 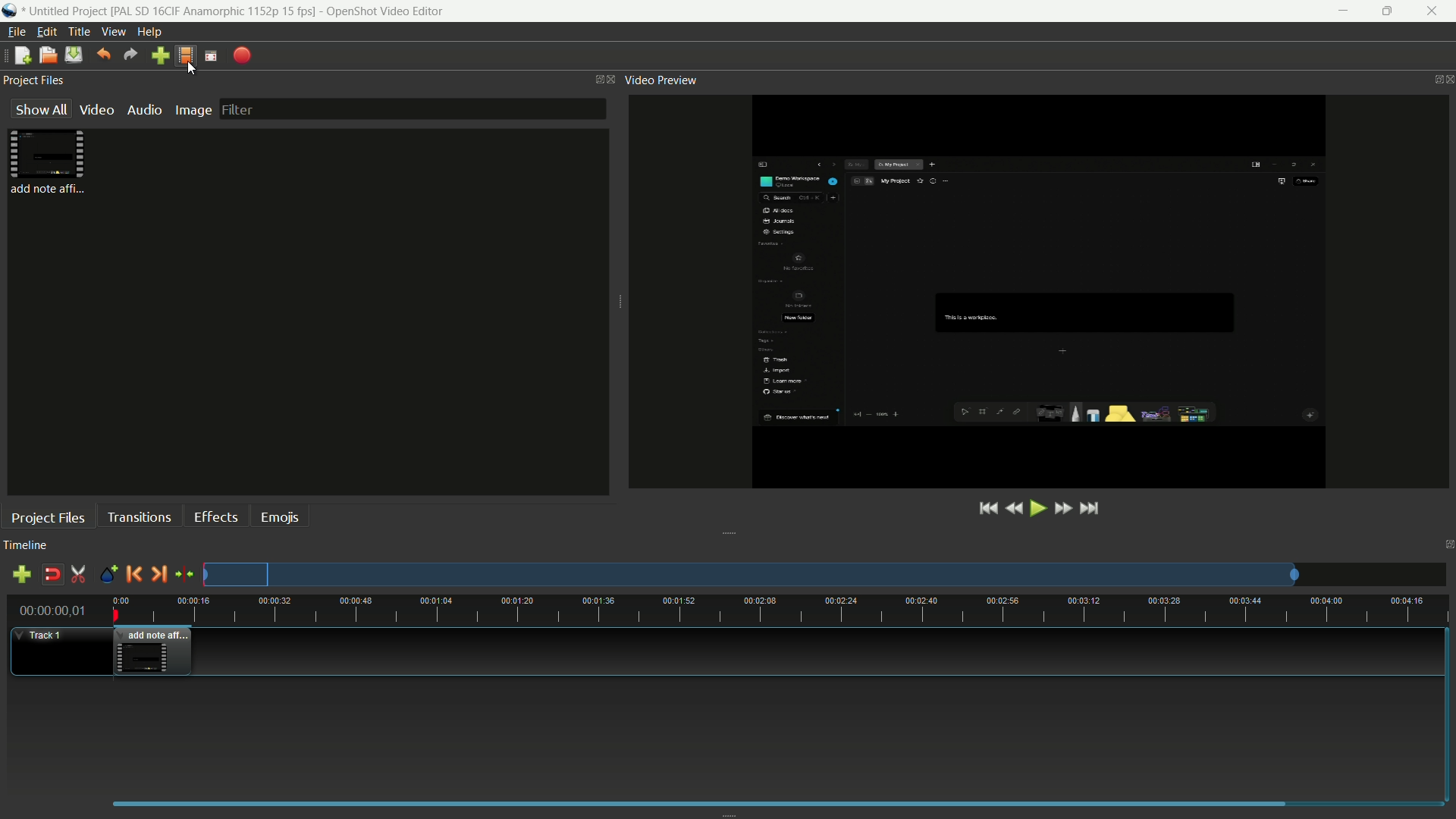 I want to click on help menu, so click(x=151, y=30).